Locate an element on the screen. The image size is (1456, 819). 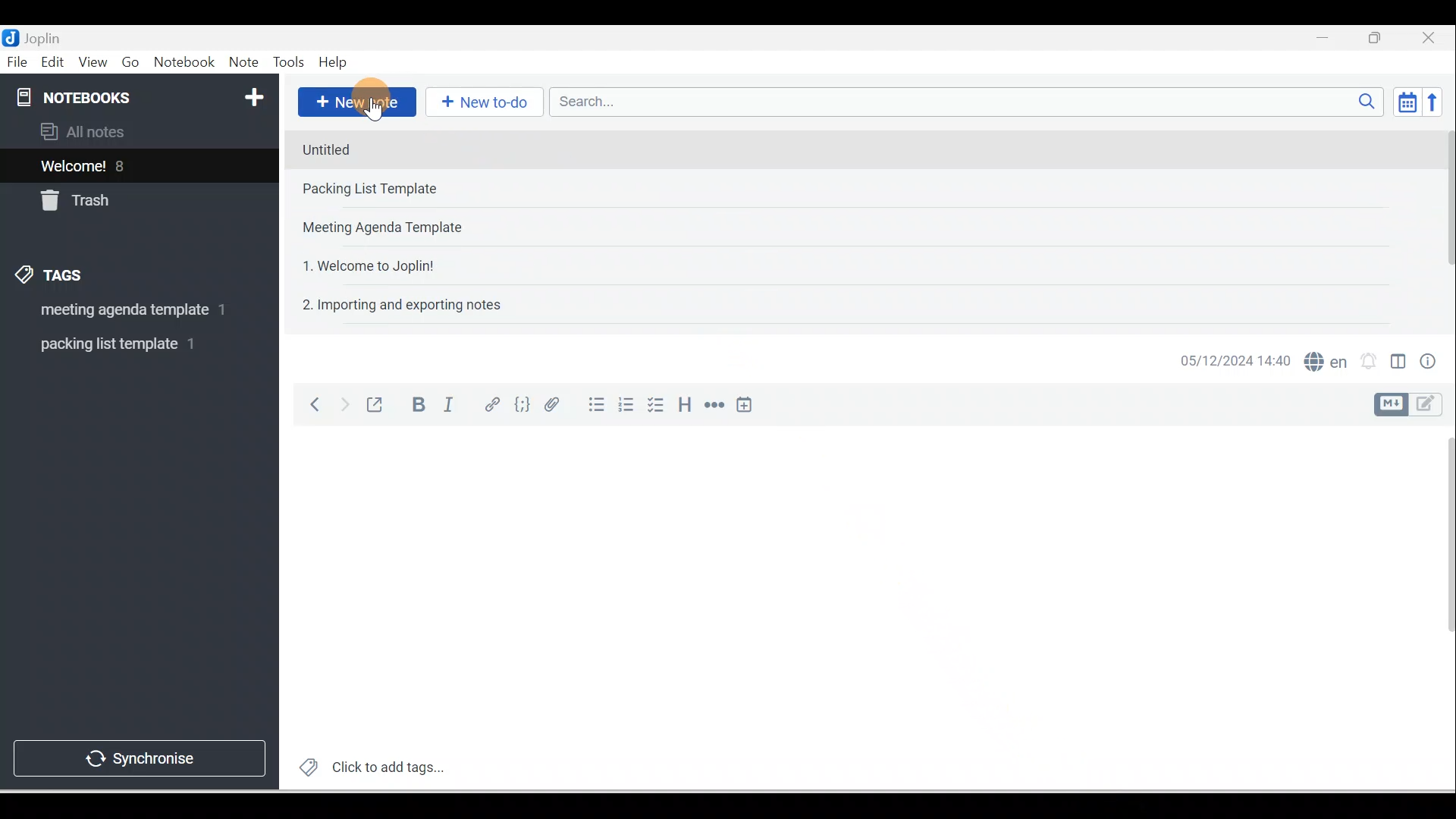
Edit is located at coordinates (54, 63).